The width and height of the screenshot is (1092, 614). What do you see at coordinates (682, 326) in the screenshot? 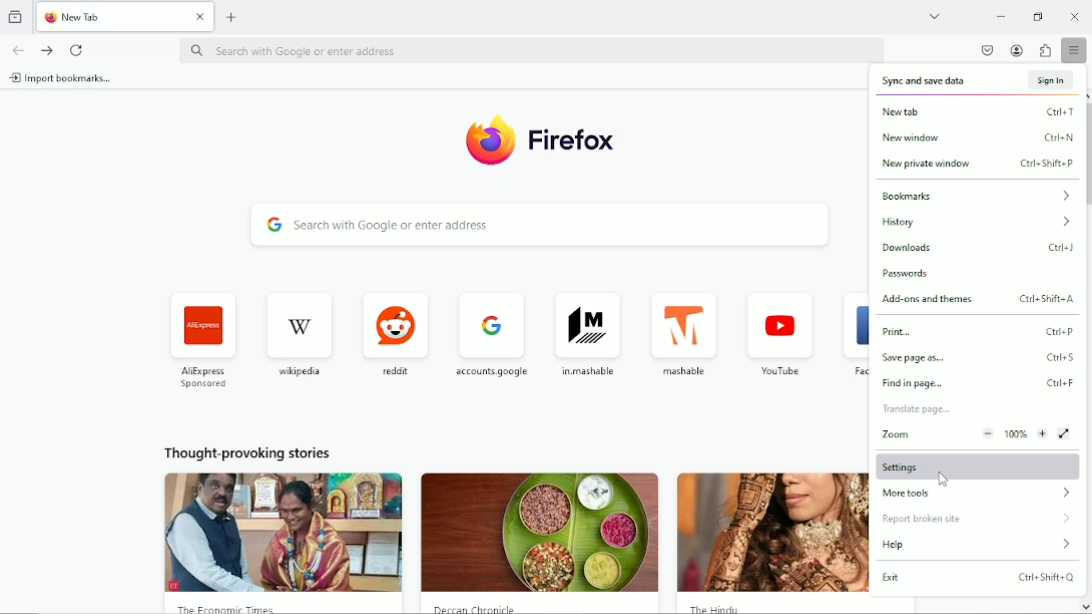
I see `mashable` at bounding box center [682, 326].